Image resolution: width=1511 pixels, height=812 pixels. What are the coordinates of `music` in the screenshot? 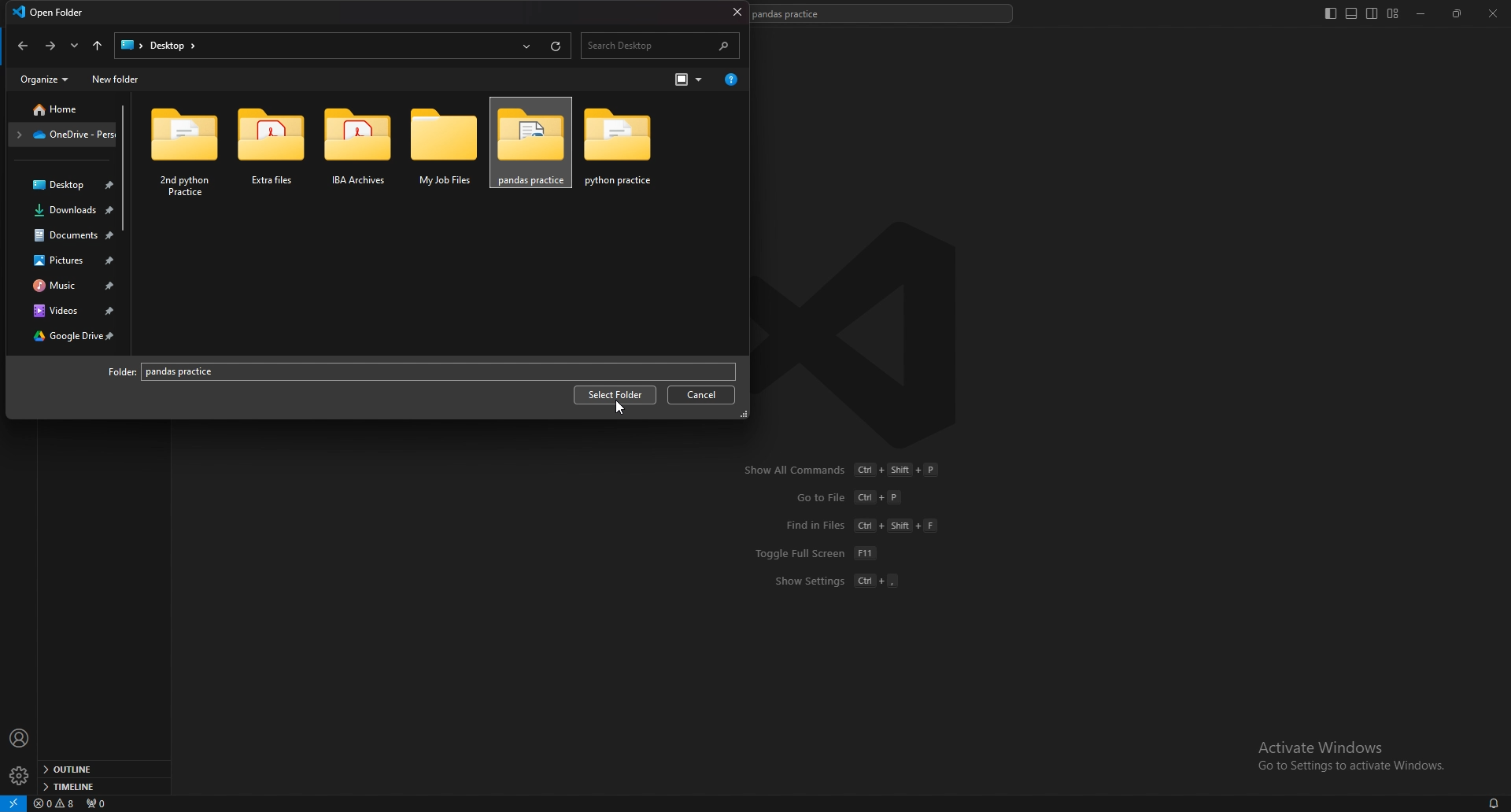 It's located at (67, 286).